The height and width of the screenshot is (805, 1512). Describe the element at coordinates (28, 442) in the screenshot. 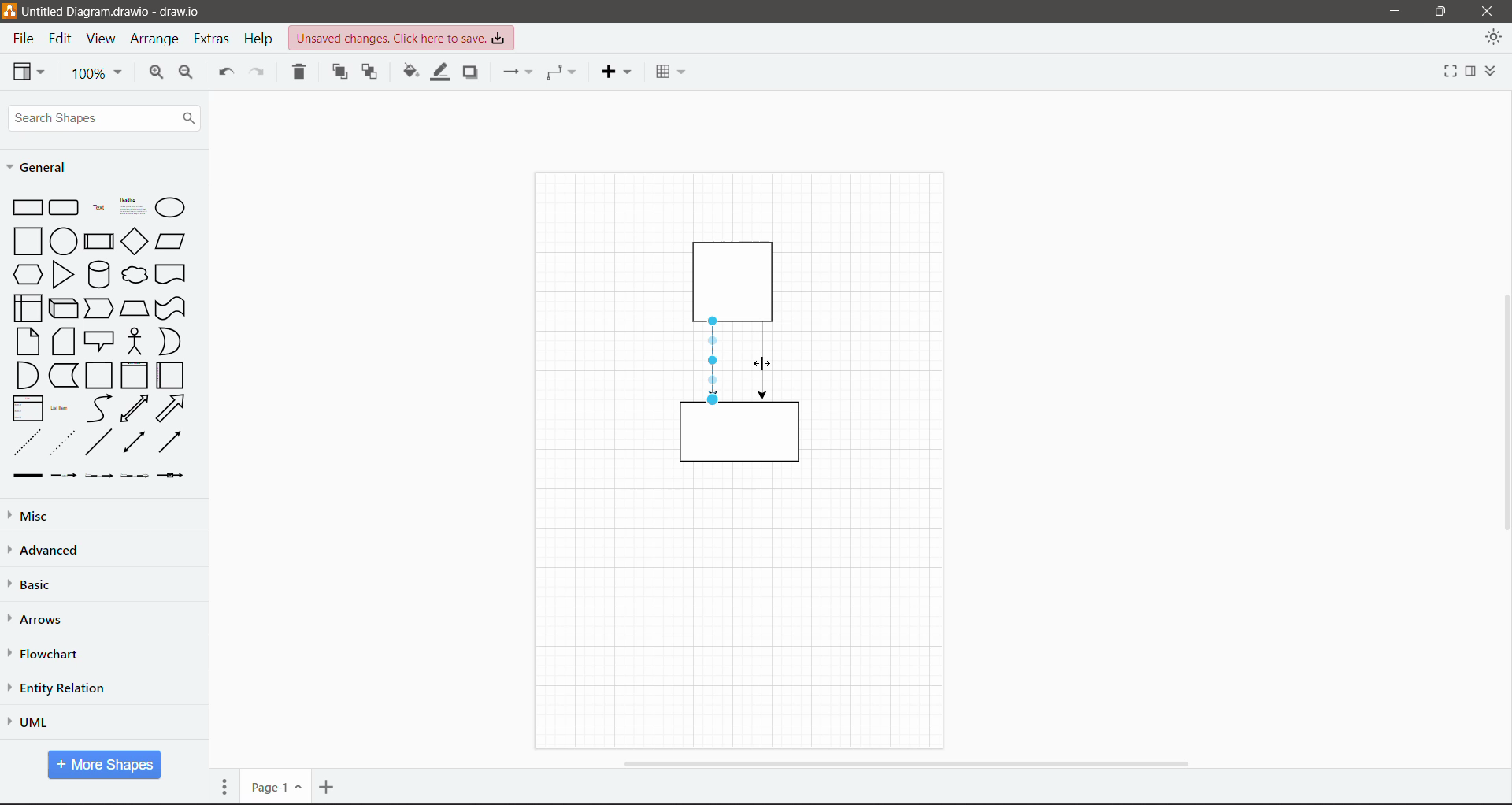

I see `dashed line` at that location.